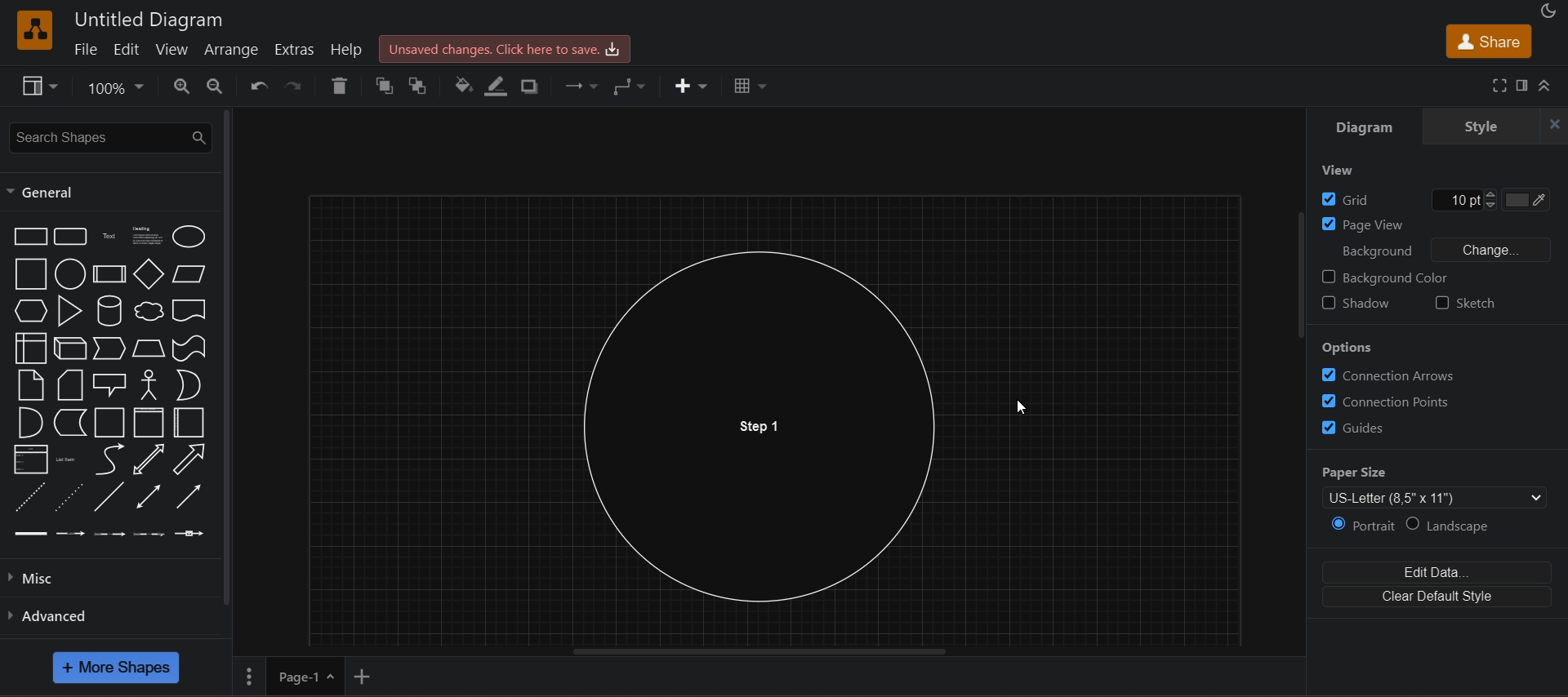  Describe the element at coordinates (33, 30) in the screenshot. I see `logo` at that location.